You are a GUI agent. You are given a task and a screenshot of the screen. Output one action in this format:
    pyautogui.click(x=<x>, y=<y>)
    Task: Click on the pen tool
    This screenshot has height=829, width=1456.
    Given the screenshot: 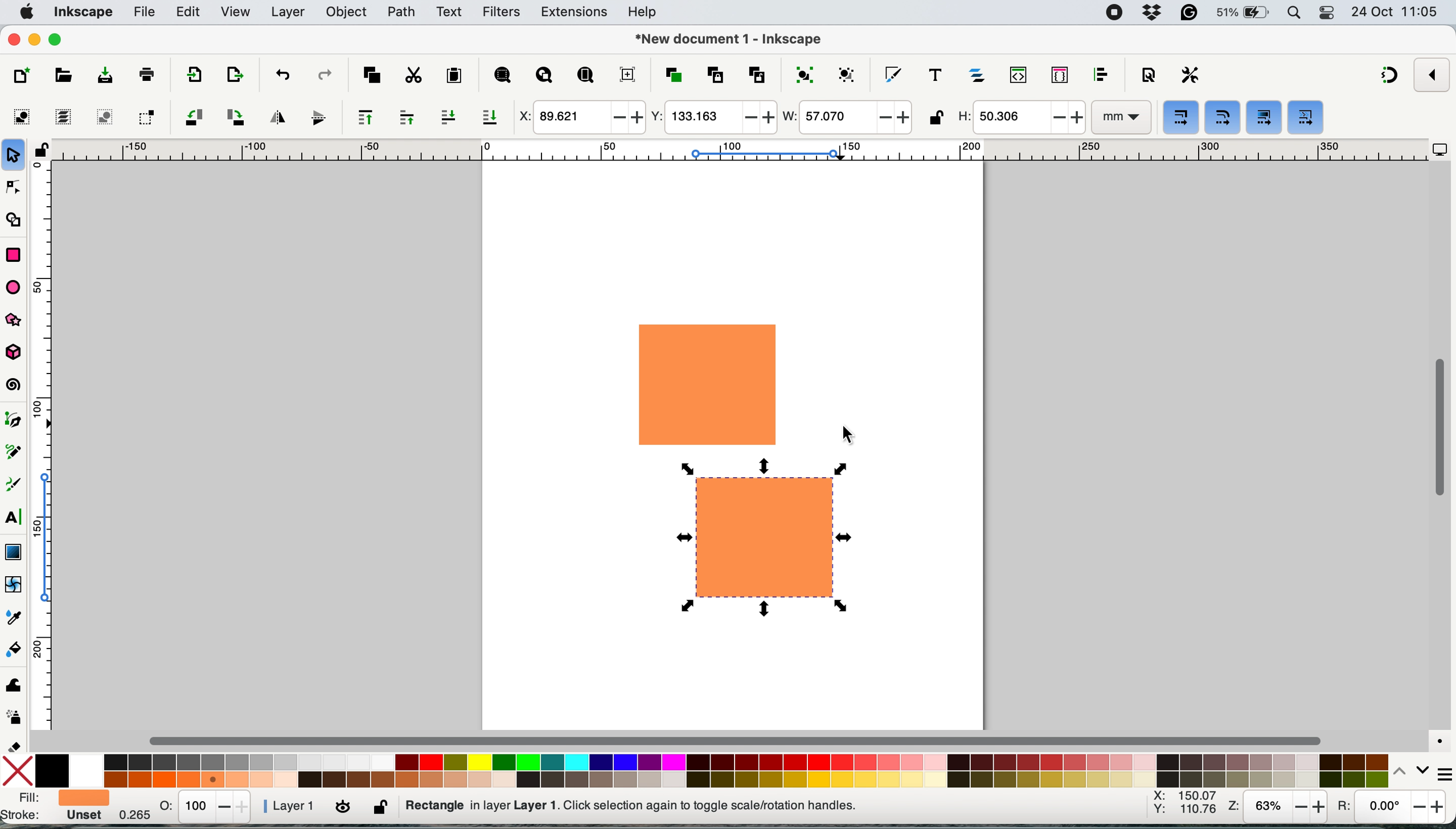 What is the action you would take?
    pyautogui.click(x=16, y=420)
    